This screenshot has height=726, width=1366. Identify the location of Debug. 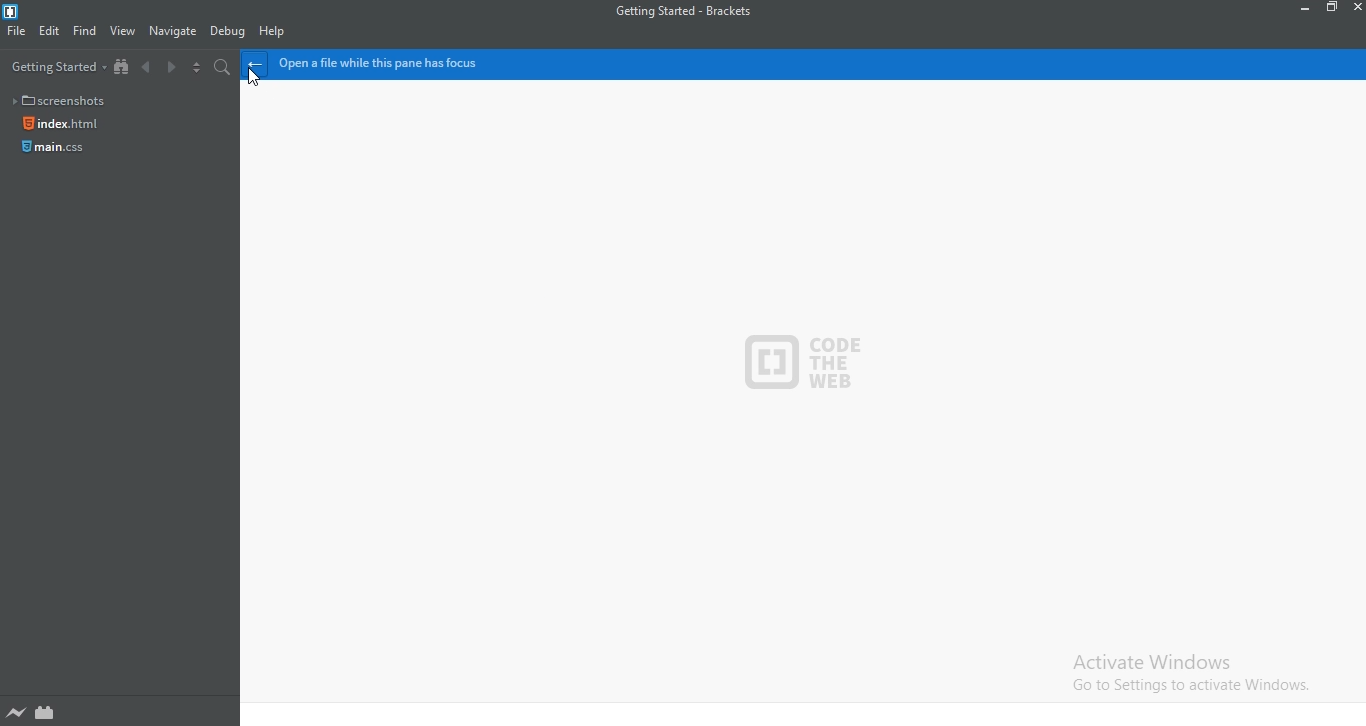
(229, 33).